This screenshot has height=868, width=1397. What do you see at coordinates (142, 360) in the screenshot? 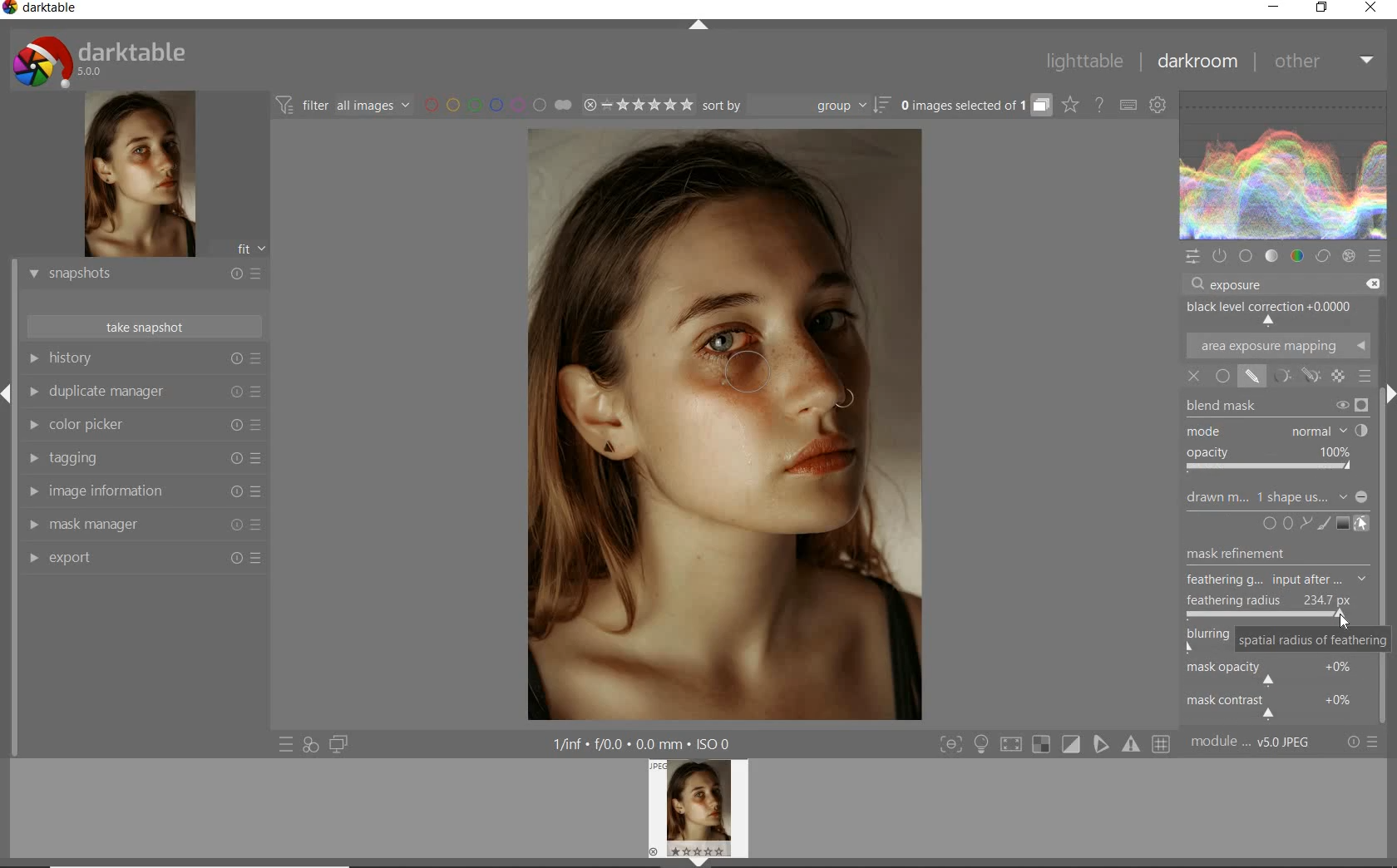
I see `history` at bounding box center [142, 360].